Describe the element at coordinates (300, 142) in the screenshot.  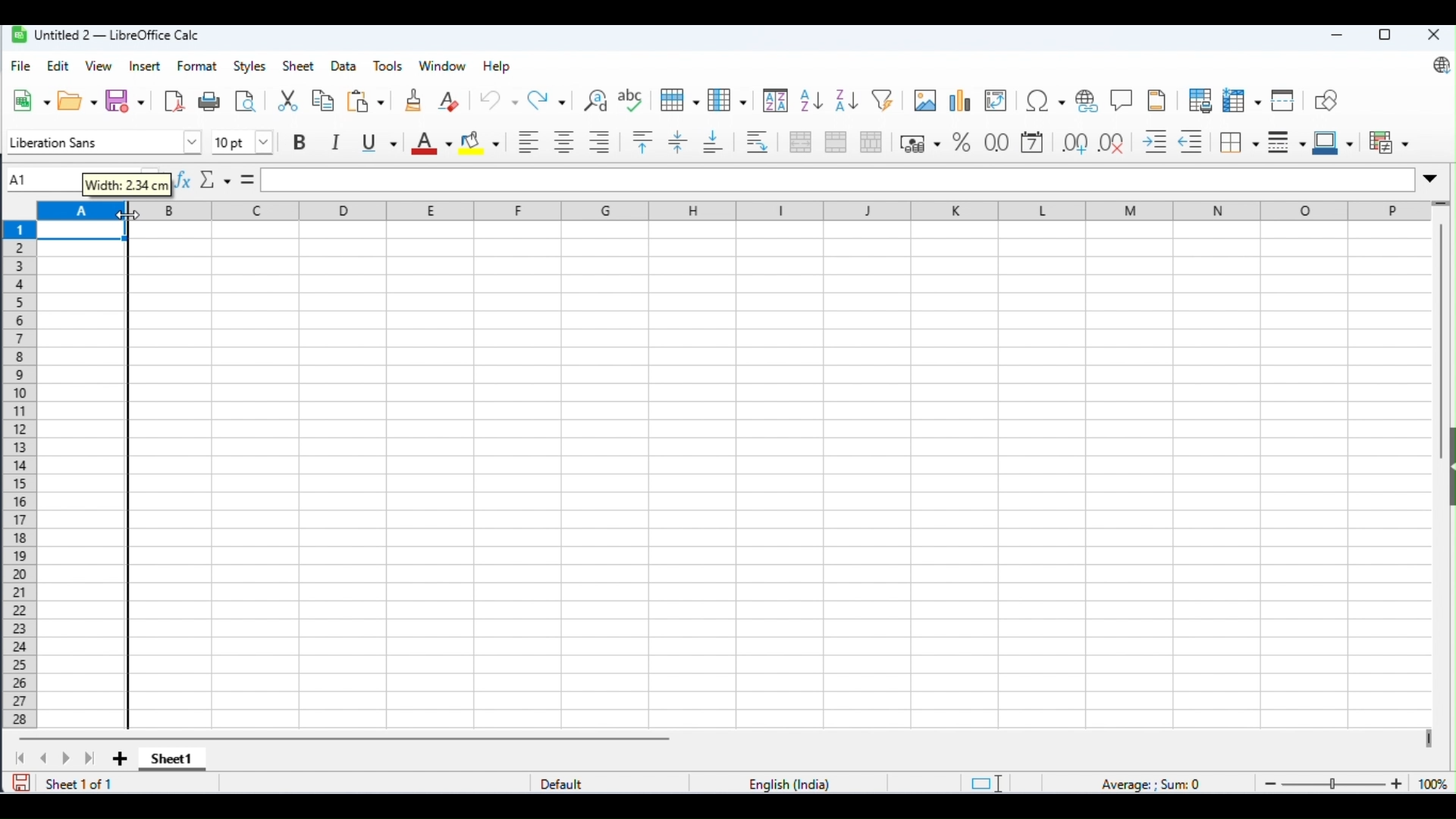
I see `bold` at that location.